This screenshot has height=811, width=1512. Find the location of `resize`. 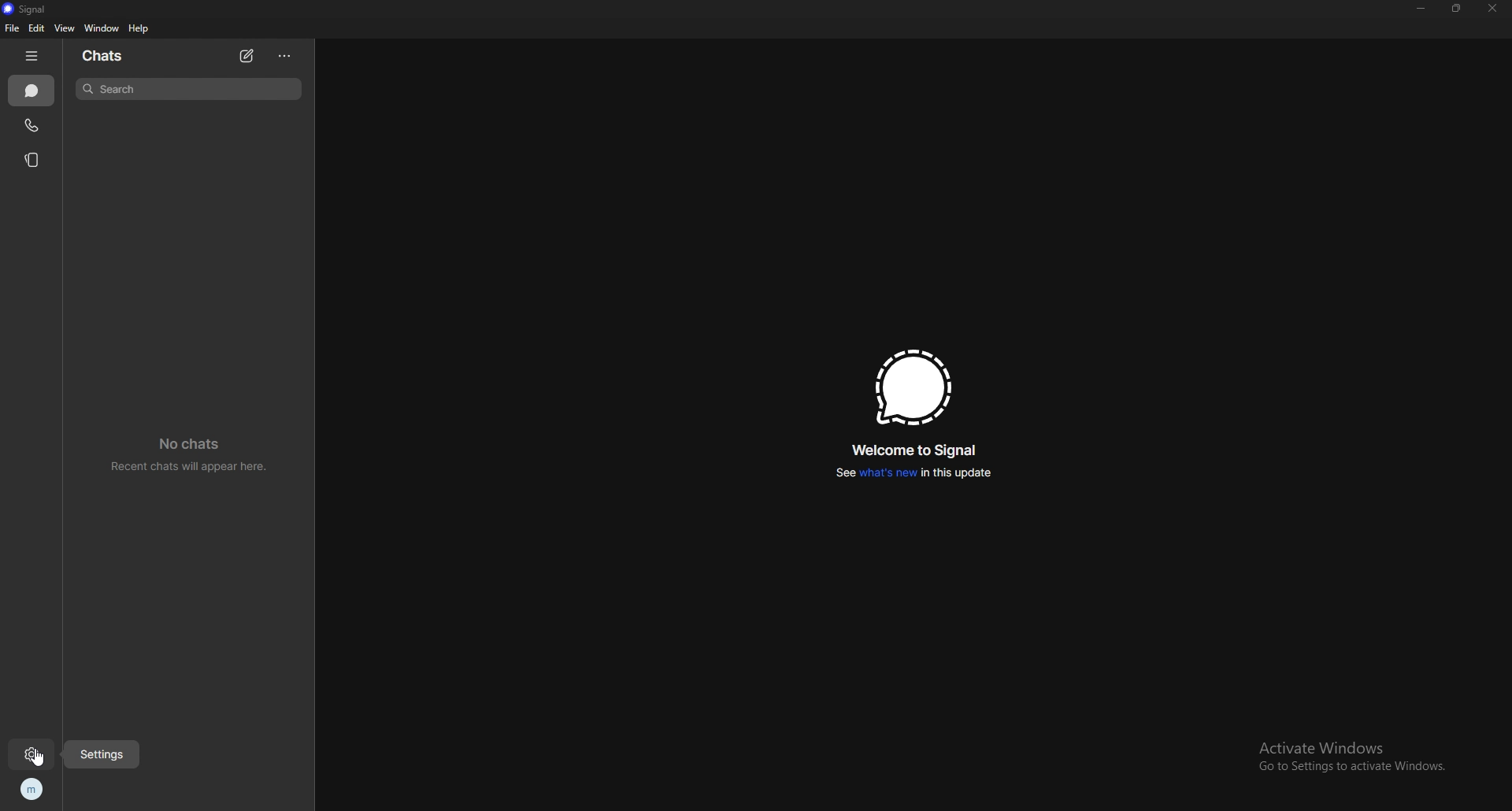

resize is located at coordinates (1457, 8).